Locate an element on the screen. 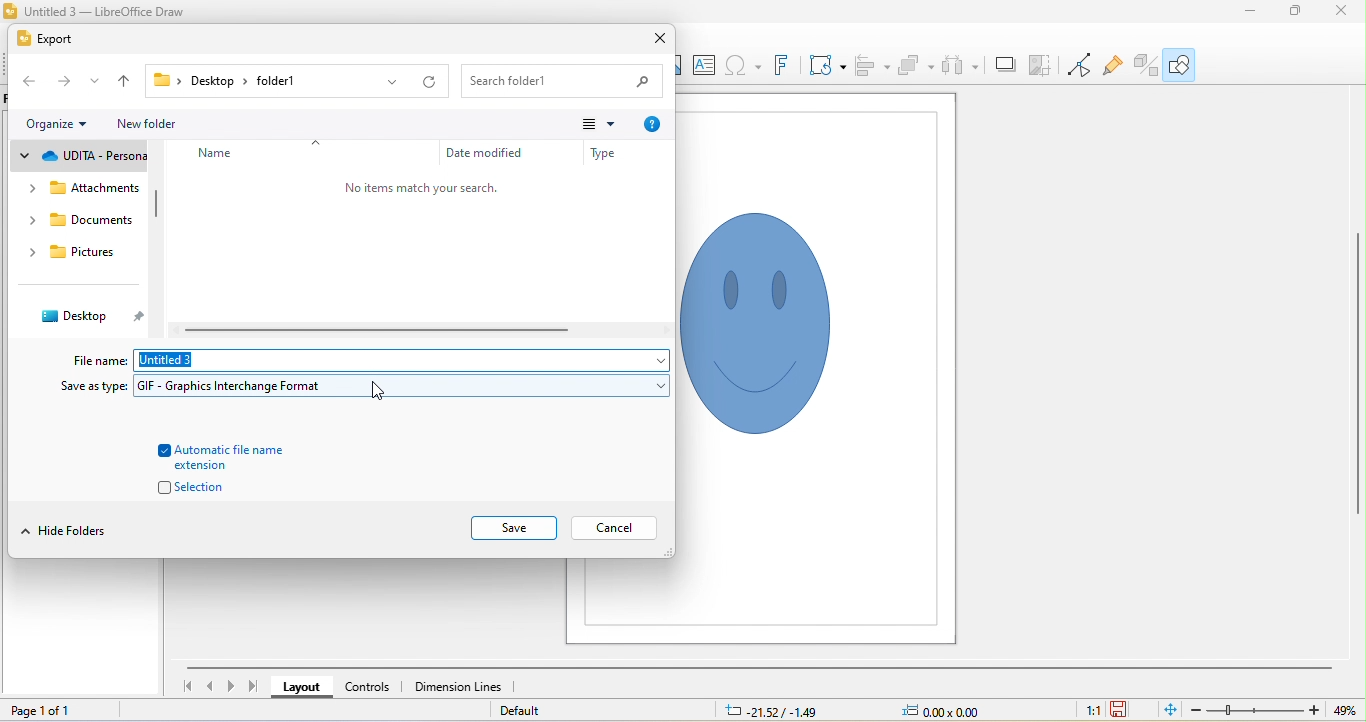 This screenshot has width=1366, height=722. show gluepoint functions is located at coordinates (1112, 69).